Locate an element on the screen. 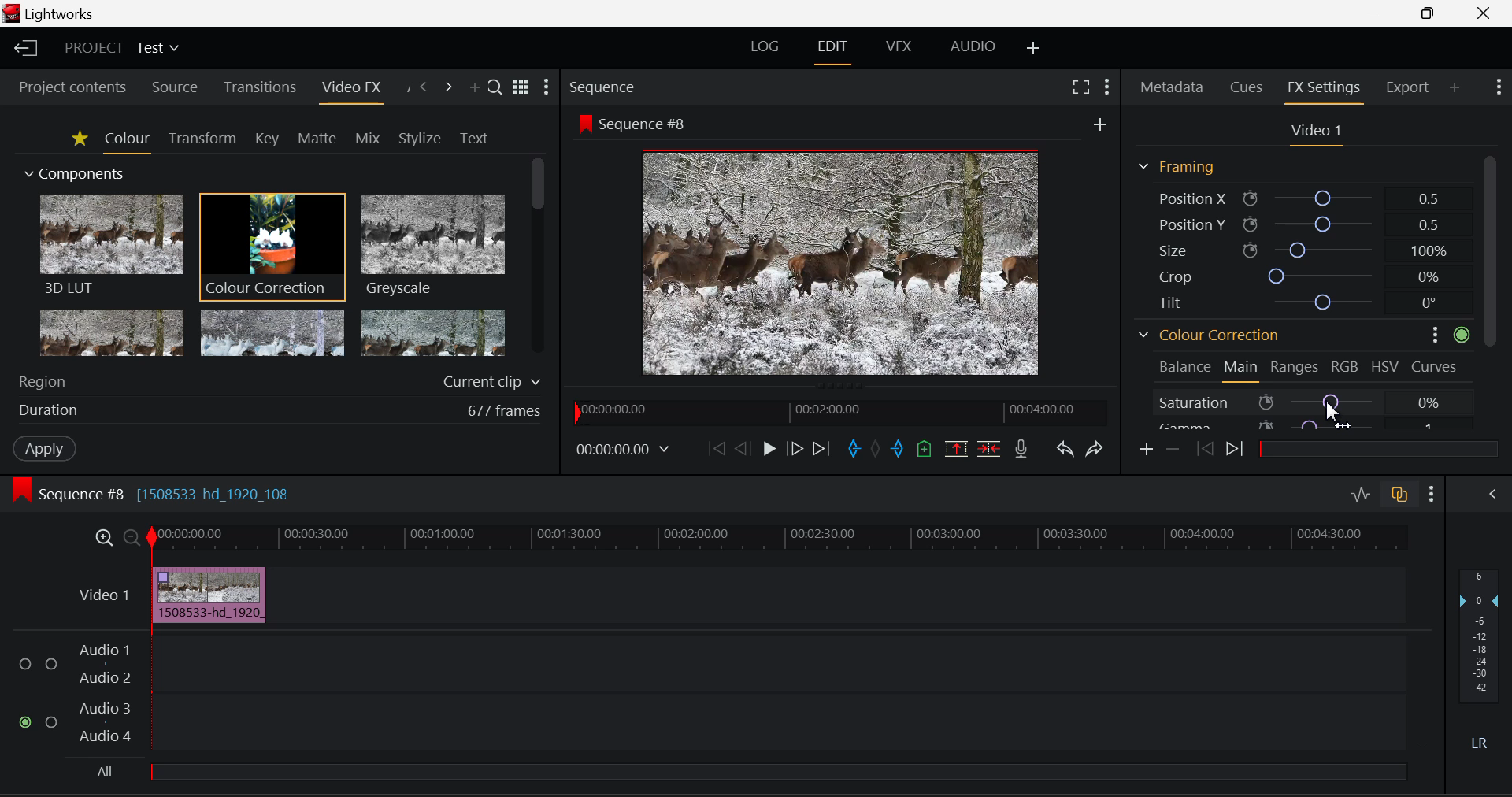  Show Audio Mix is located at coordinates (1492, 494).